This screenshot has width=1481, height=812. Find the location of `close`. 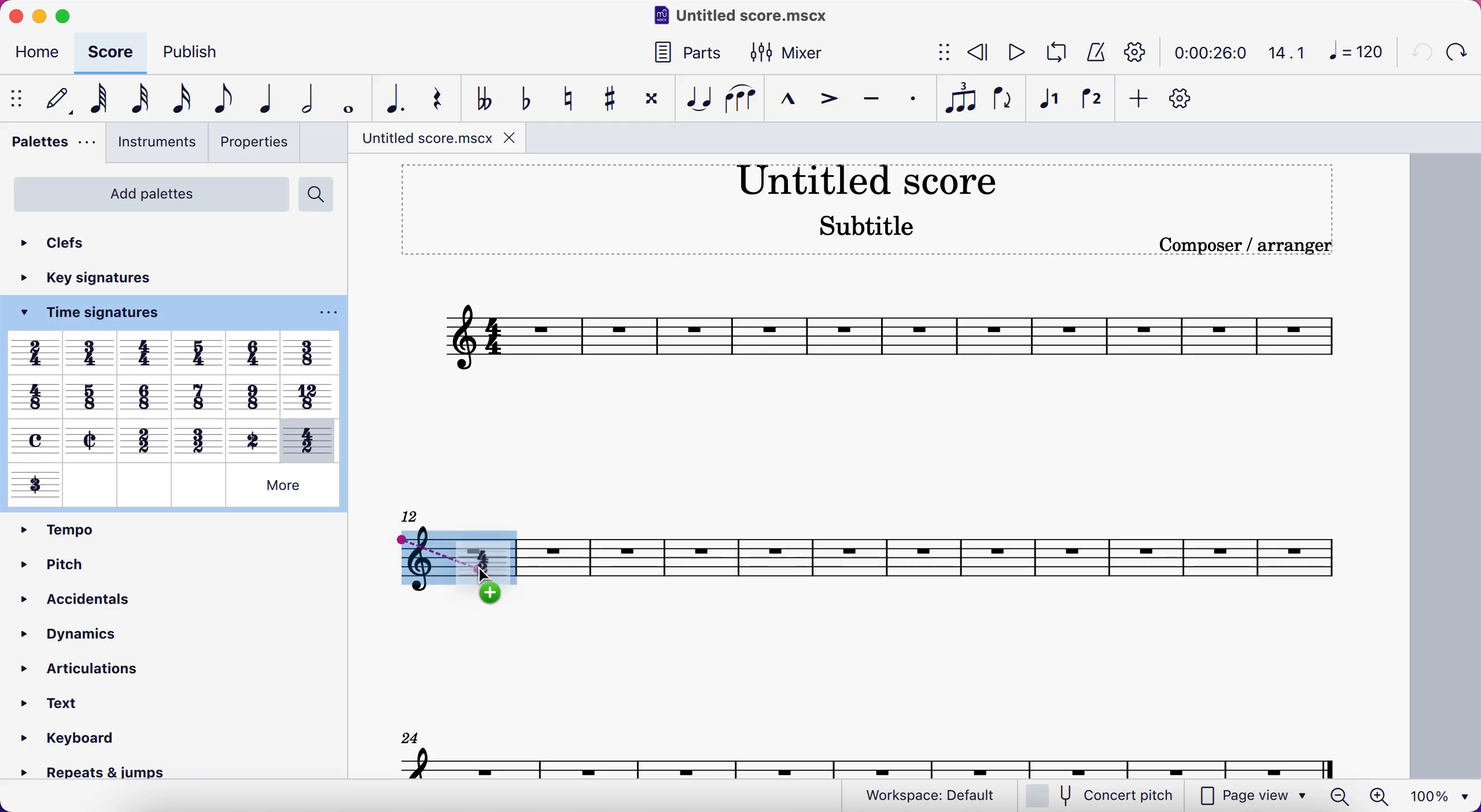

close is located at coordinates (20, 17).